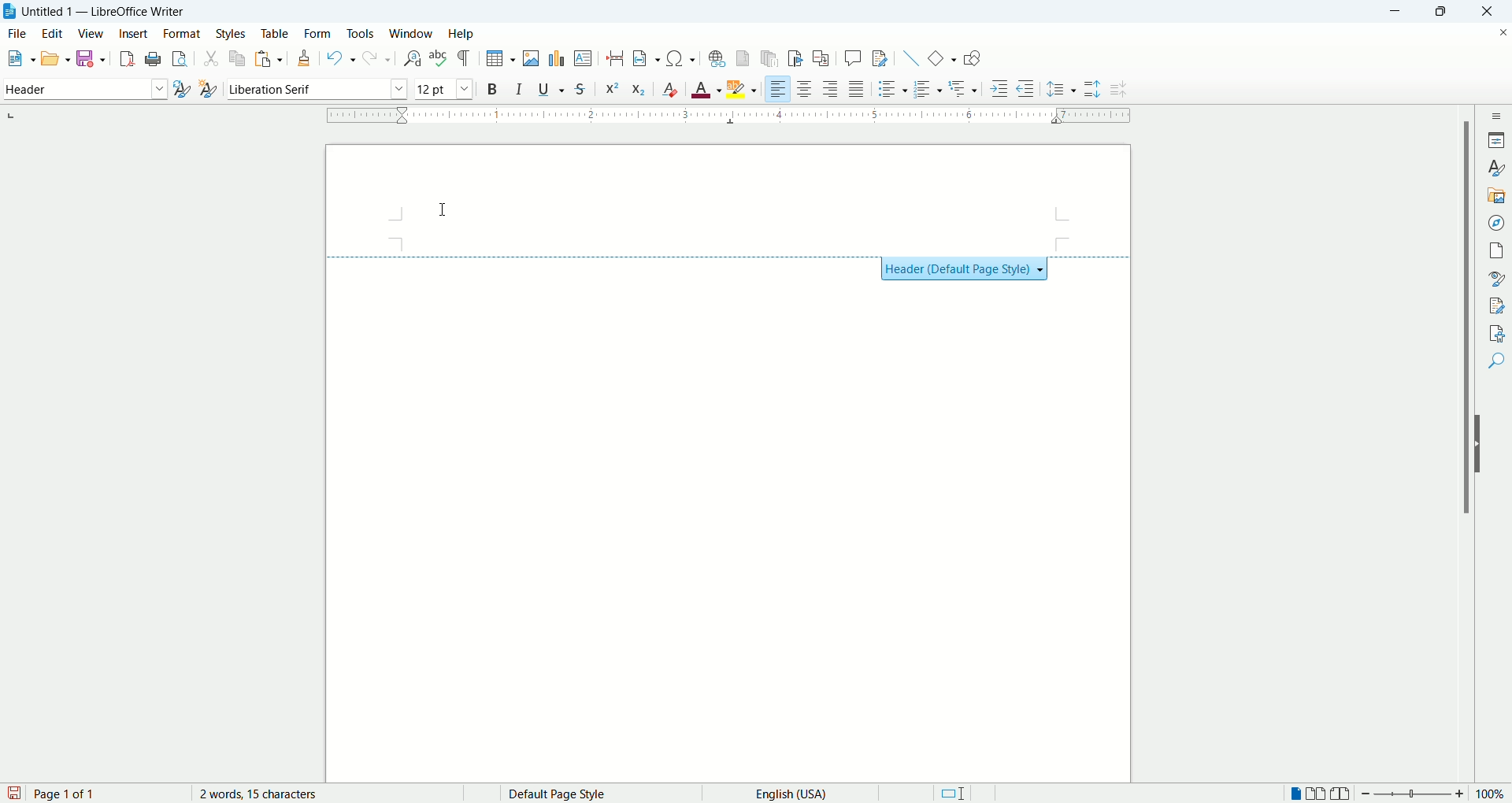 This screenshot has height=803, width=1512. Describe the element at coordinates (464, 58) in the screenshot. I see `formatting marks` at that location.